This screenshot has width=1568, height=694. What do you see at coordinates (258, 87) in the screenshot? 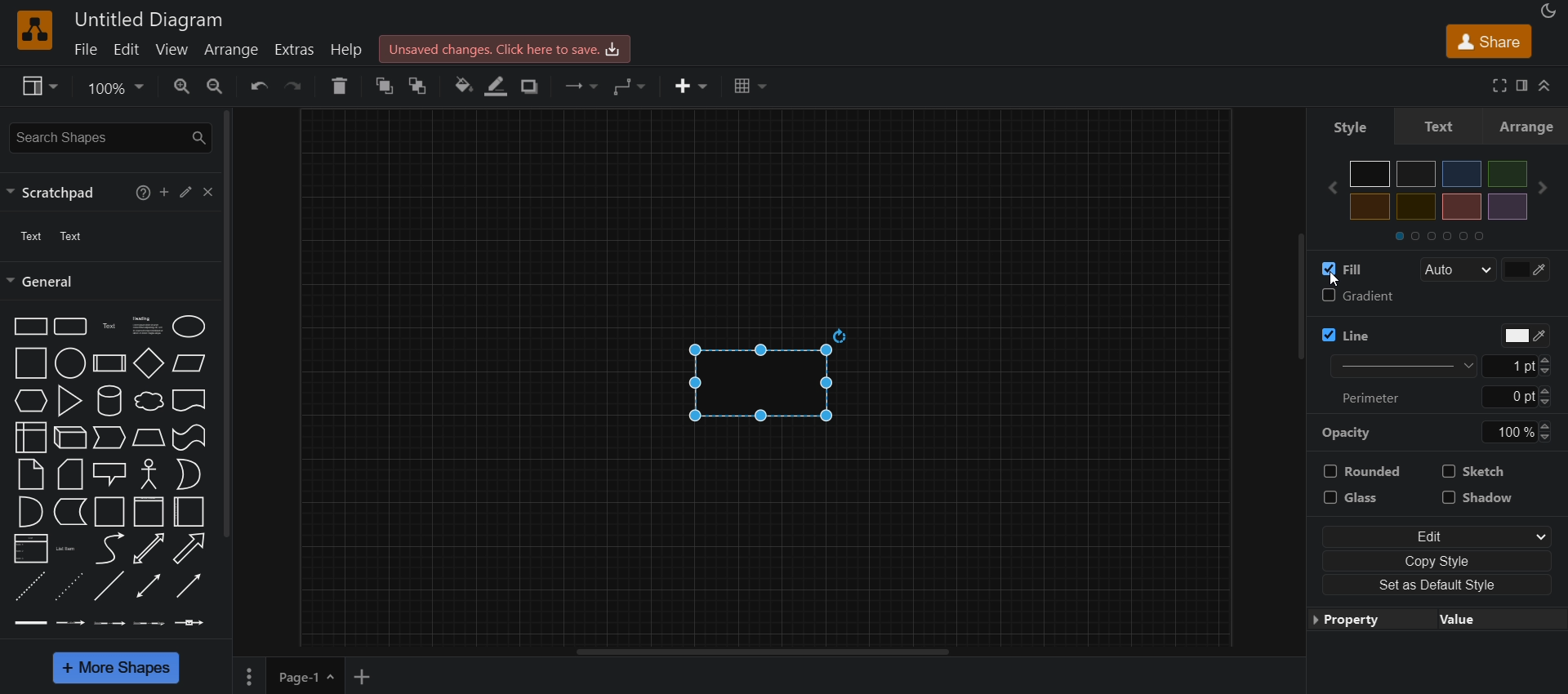
I see `undo` at bounding box center [258, 87].